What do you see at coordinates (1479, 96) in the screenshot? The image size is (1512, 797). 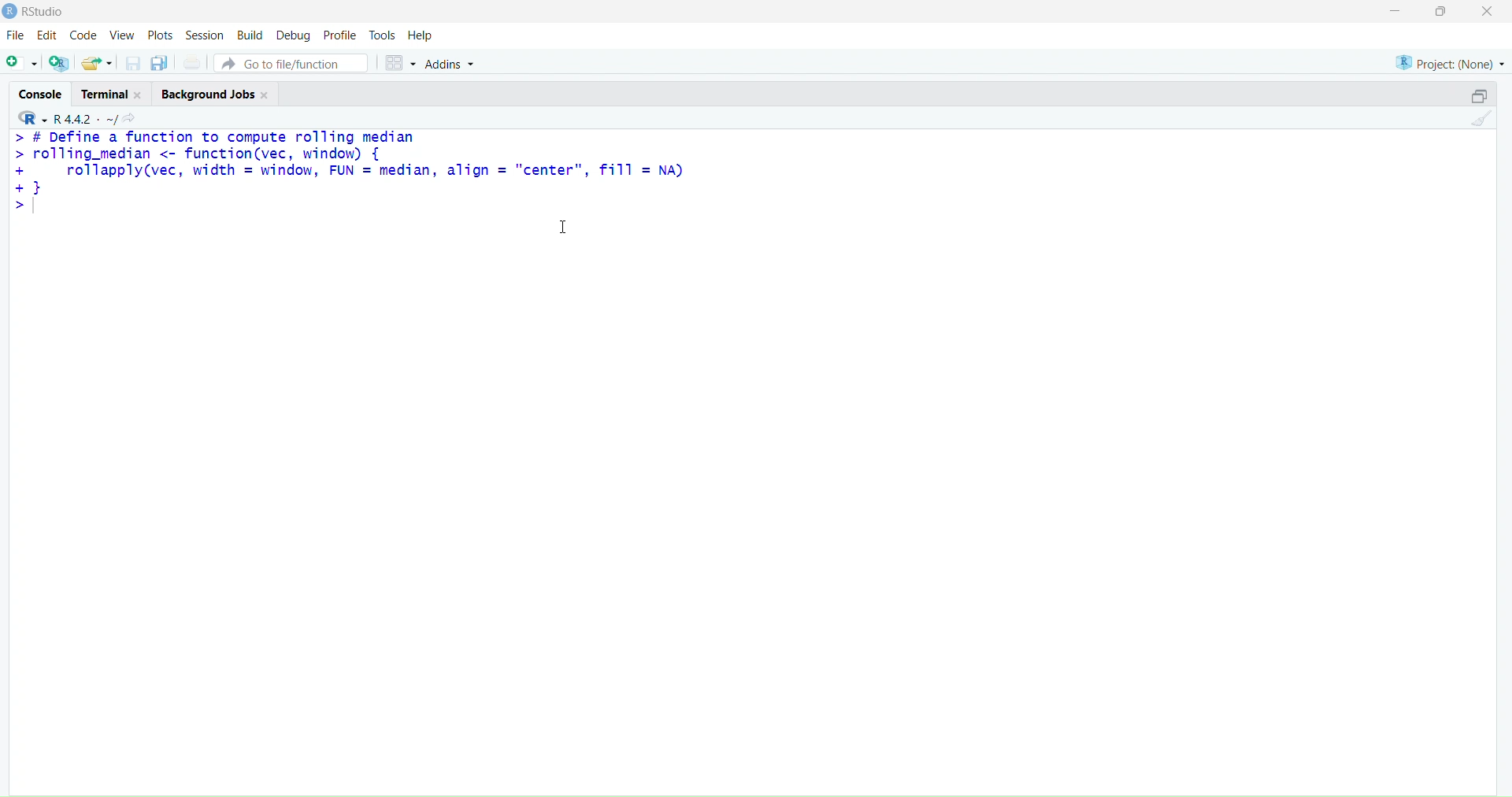 I see `open in separate window` at bounding box center [1479, 96].